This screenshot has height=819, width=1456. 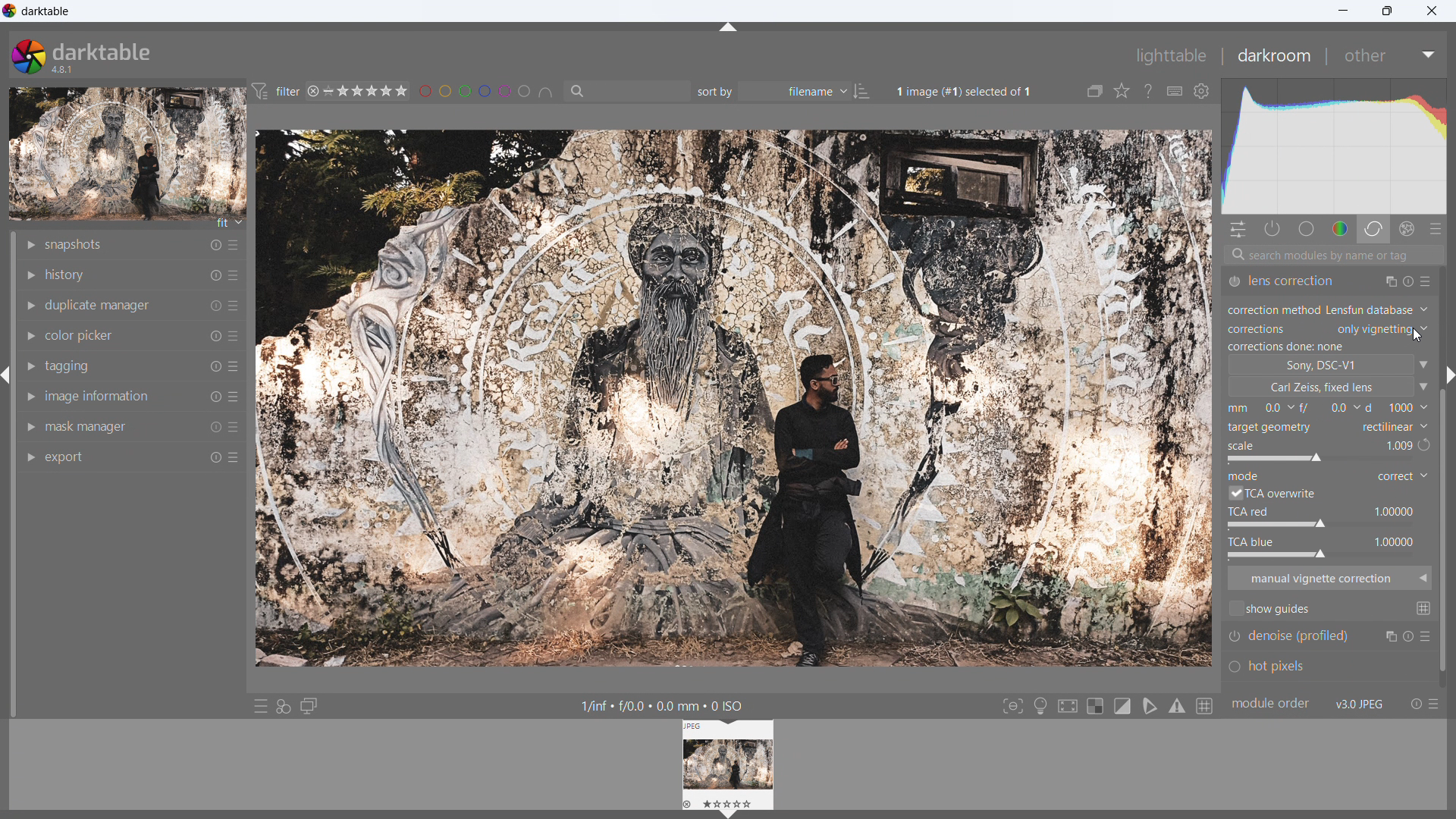 What do you see at coordinates (1272, 427) in the screenshot?
I see `target geometry` at bounding box center [1272, 427].